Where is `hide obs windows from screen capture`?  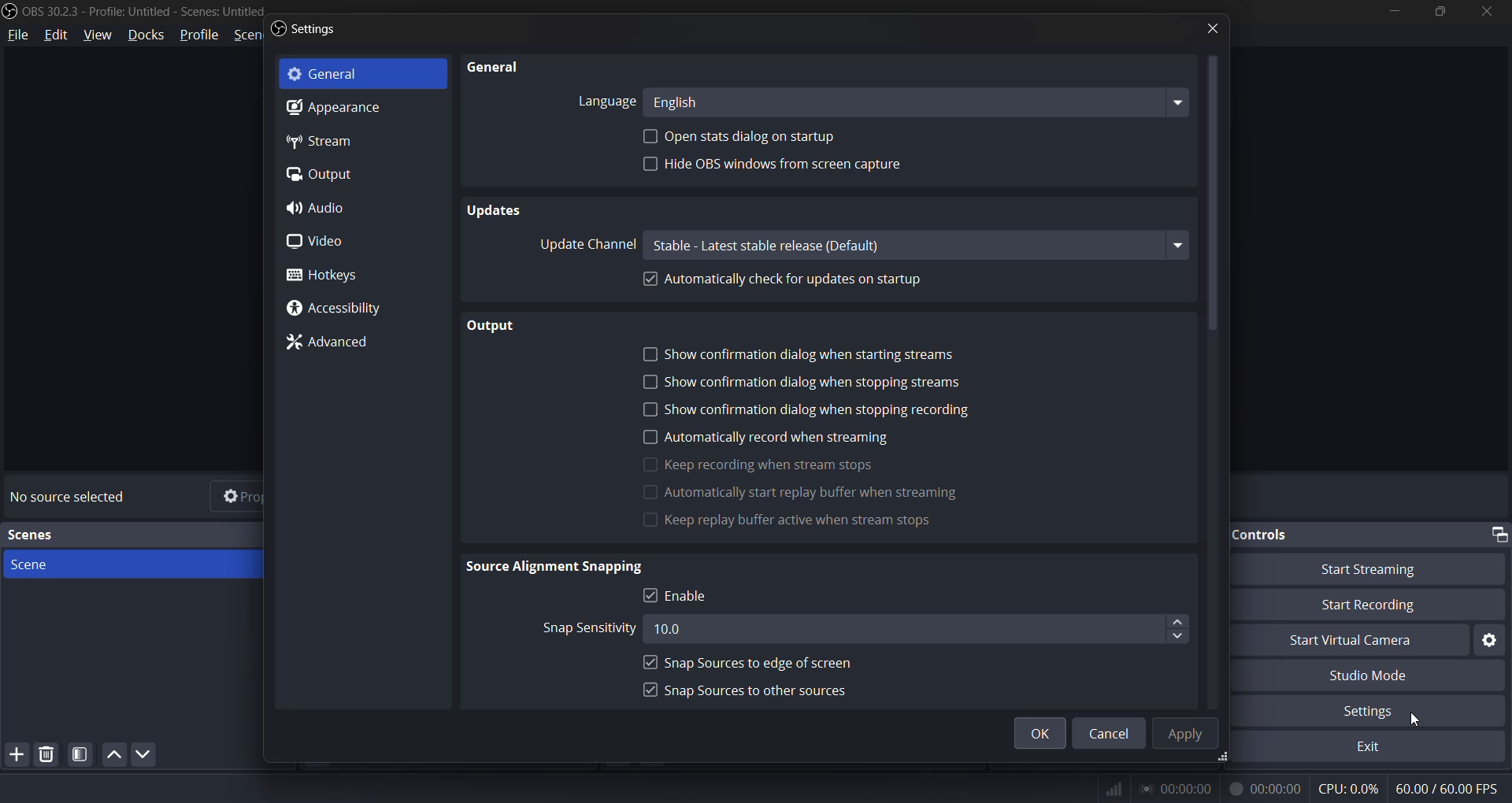
hide obs windows from screen capture is located at coordinates (785, 166).